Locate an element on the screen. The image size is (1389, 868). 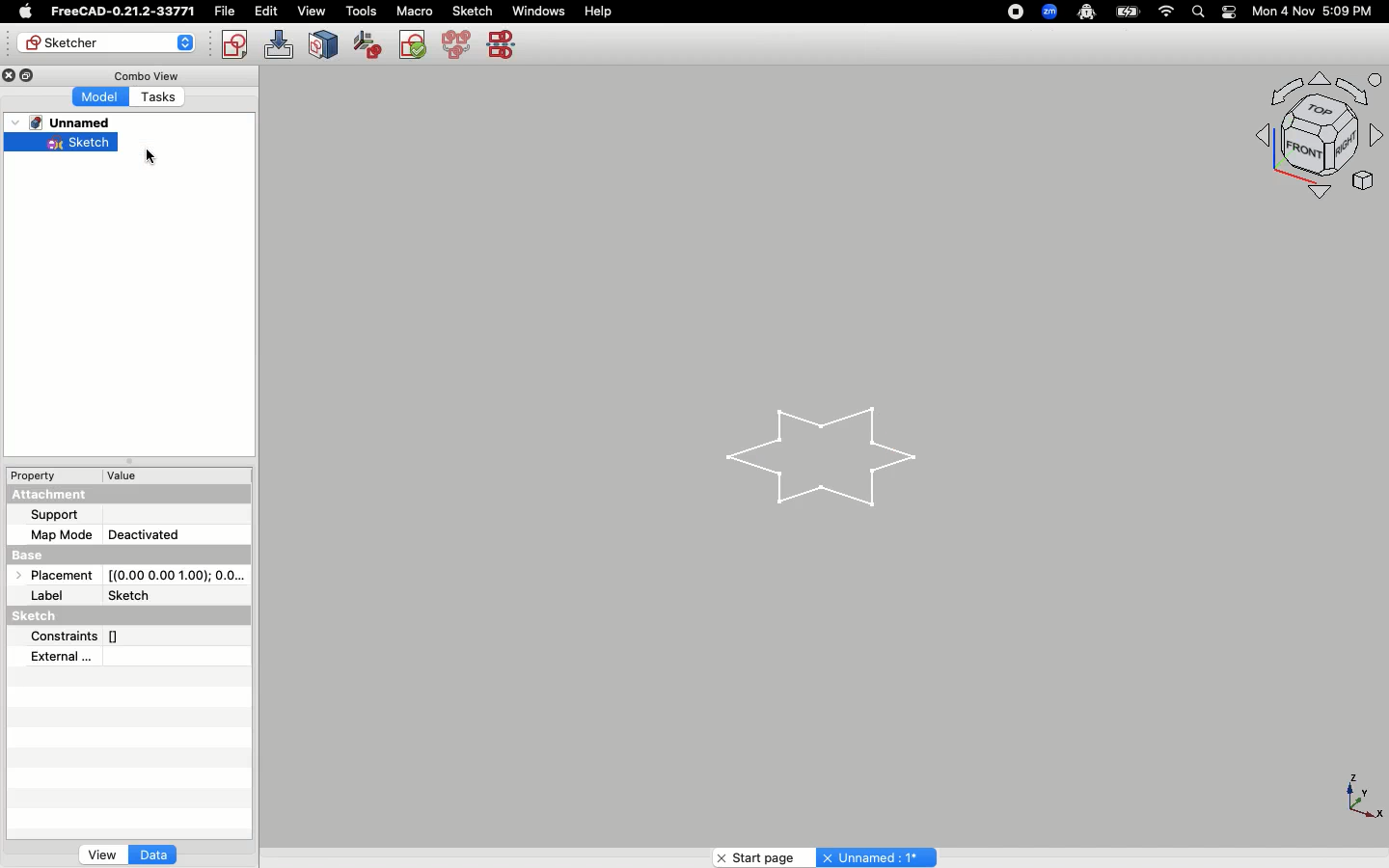
Start page is located at coordinates (760, 854).